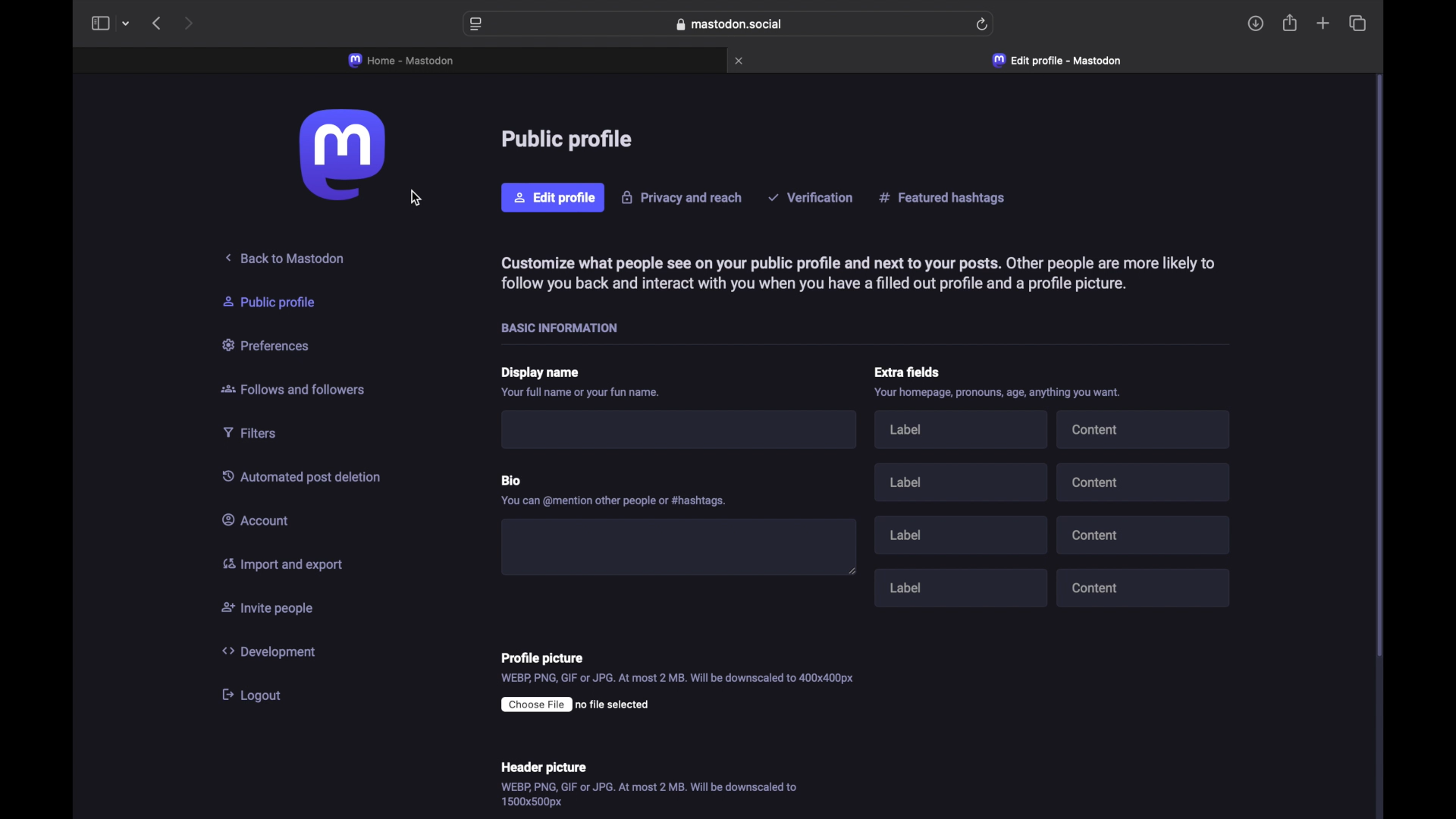 The height and width of the screenshot is (819, 1456). What do you see at coordinates (942, 197) in the screenshot?
I see `featured hashtag` at bounding box center [942, 197].